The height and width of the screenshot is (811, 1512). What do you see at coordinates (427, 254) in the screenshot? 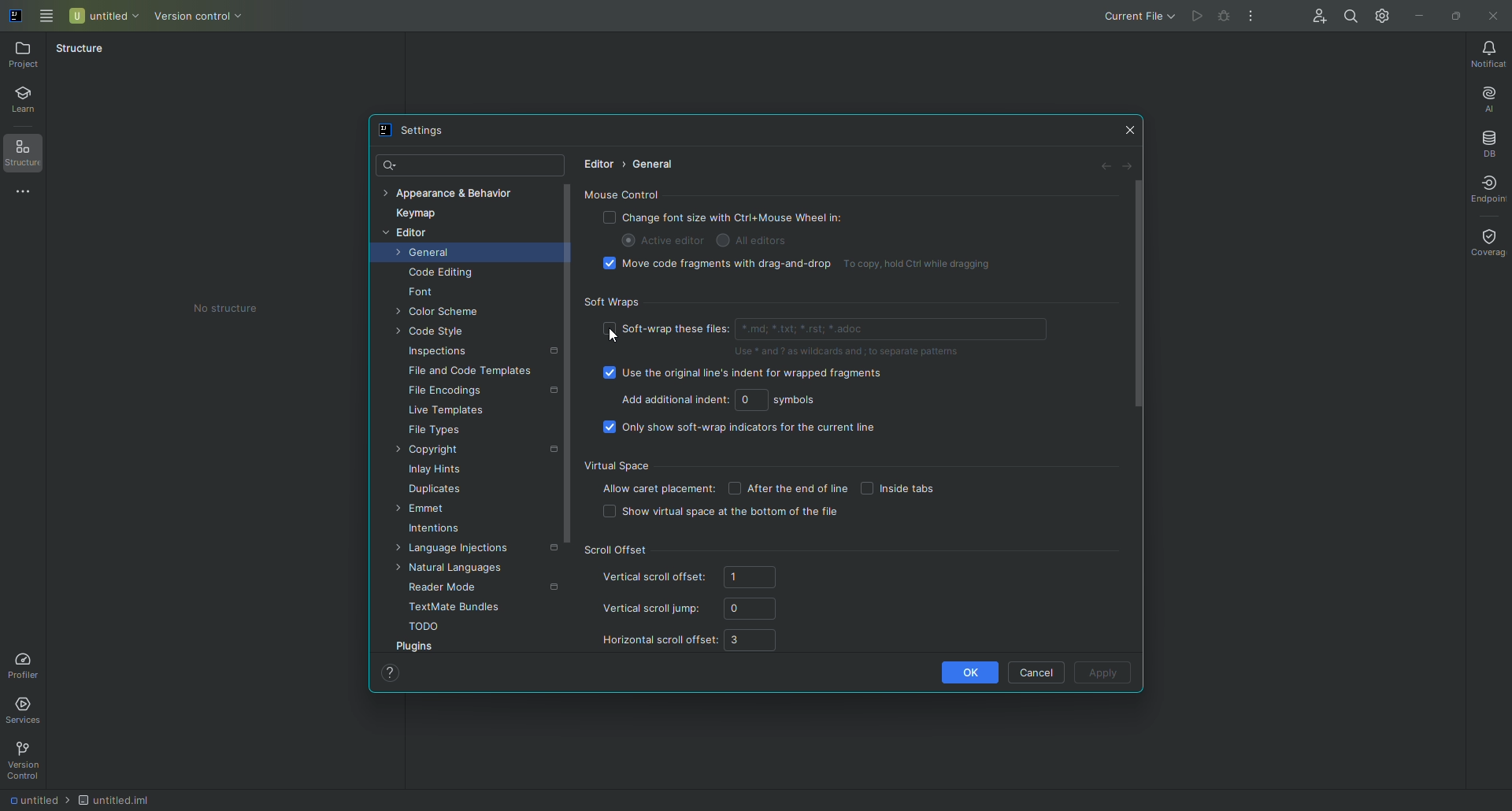
I see `General` at bounding box center [427, 254].